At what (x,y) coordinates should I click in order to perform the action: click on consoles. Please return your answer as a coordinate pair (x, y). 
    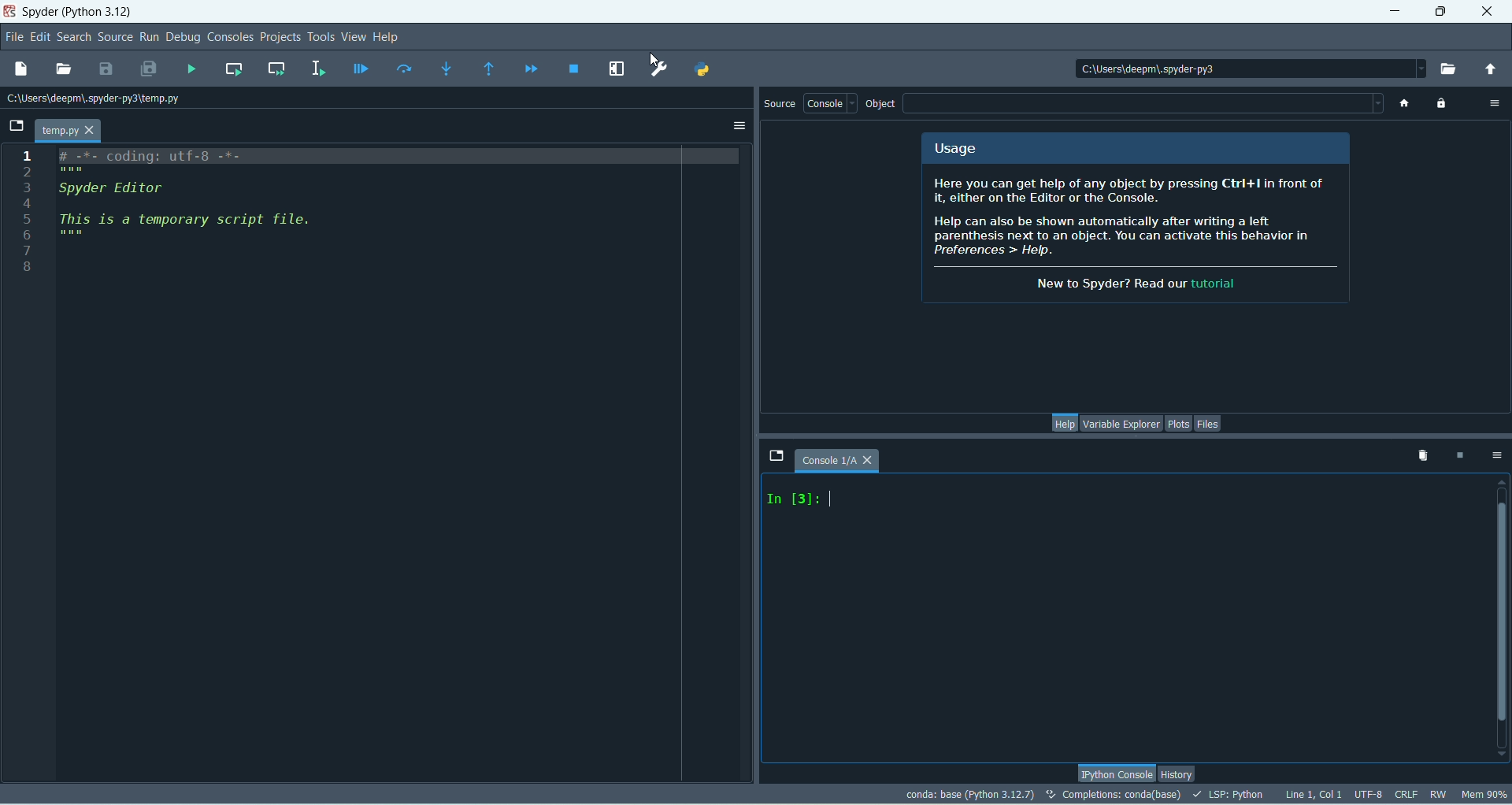
    Looking at the image, I should click on (230, 37).